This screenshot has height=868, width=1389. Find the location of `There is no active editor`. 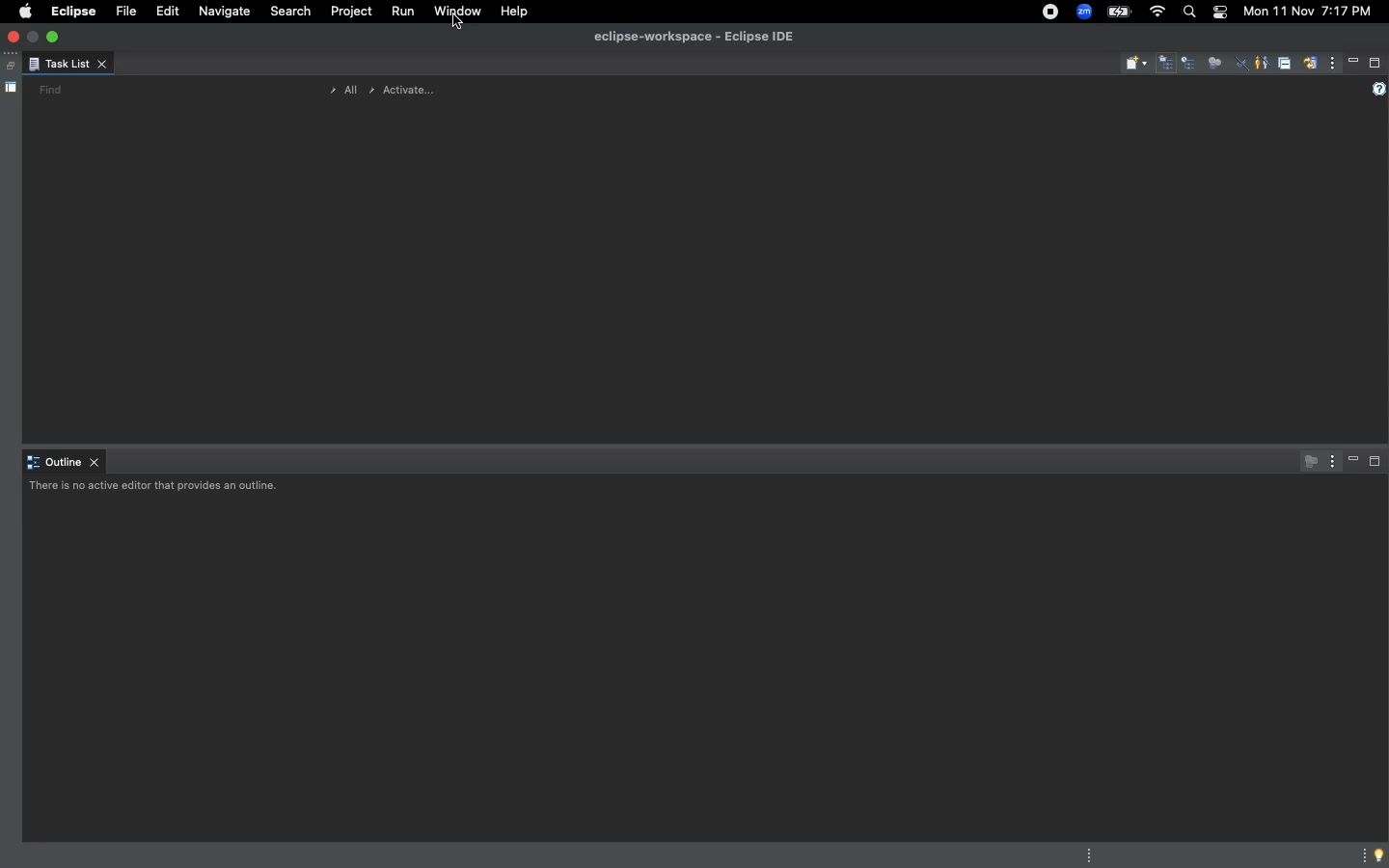

There is no active editor is located at coordinates (157, 489).